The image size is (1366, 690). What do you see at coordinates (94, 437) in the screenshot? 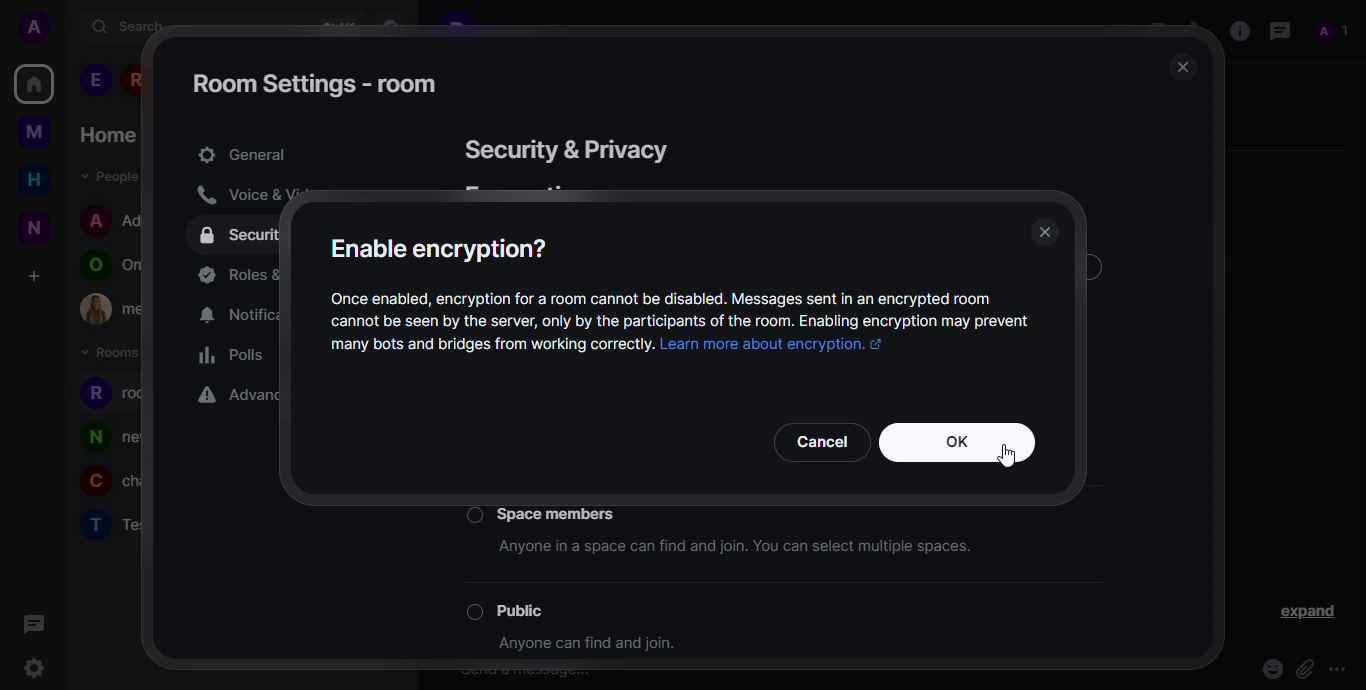
I see `profile` at bounding box center [94, 437].